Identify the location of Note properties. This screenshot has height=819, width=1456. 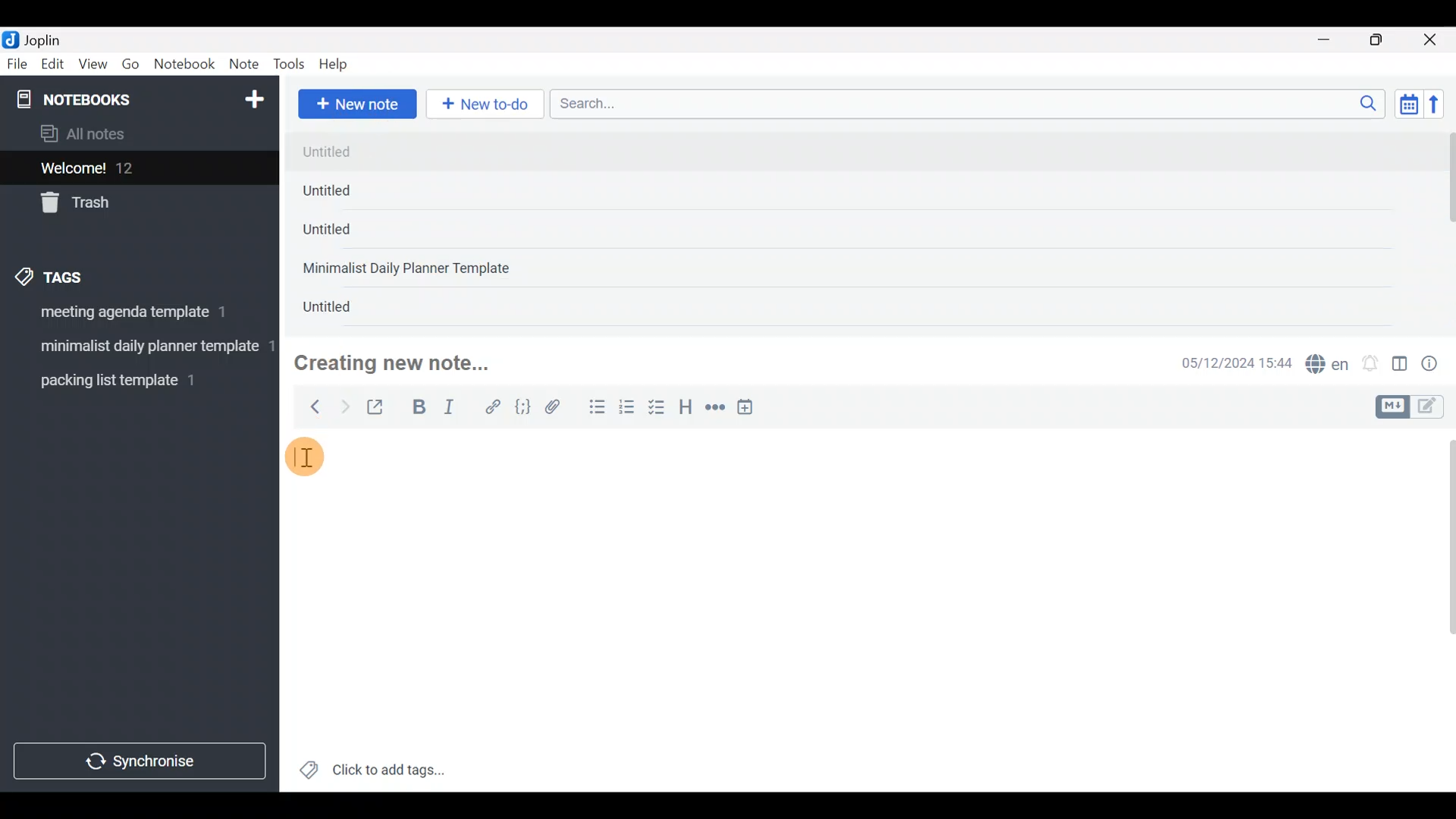
(1436, 365).